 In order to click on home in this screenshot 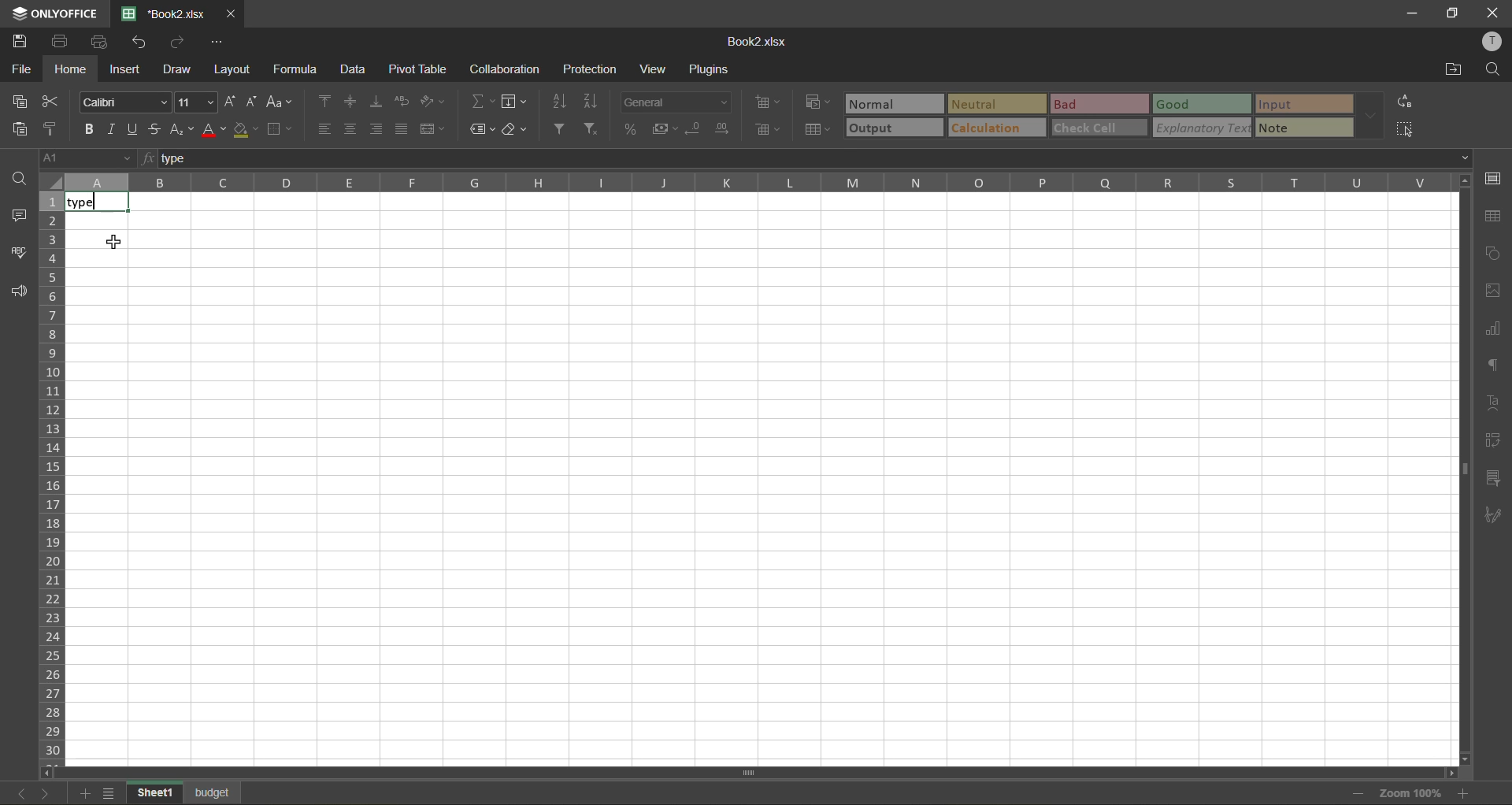, I will do `click(72, 68)`.